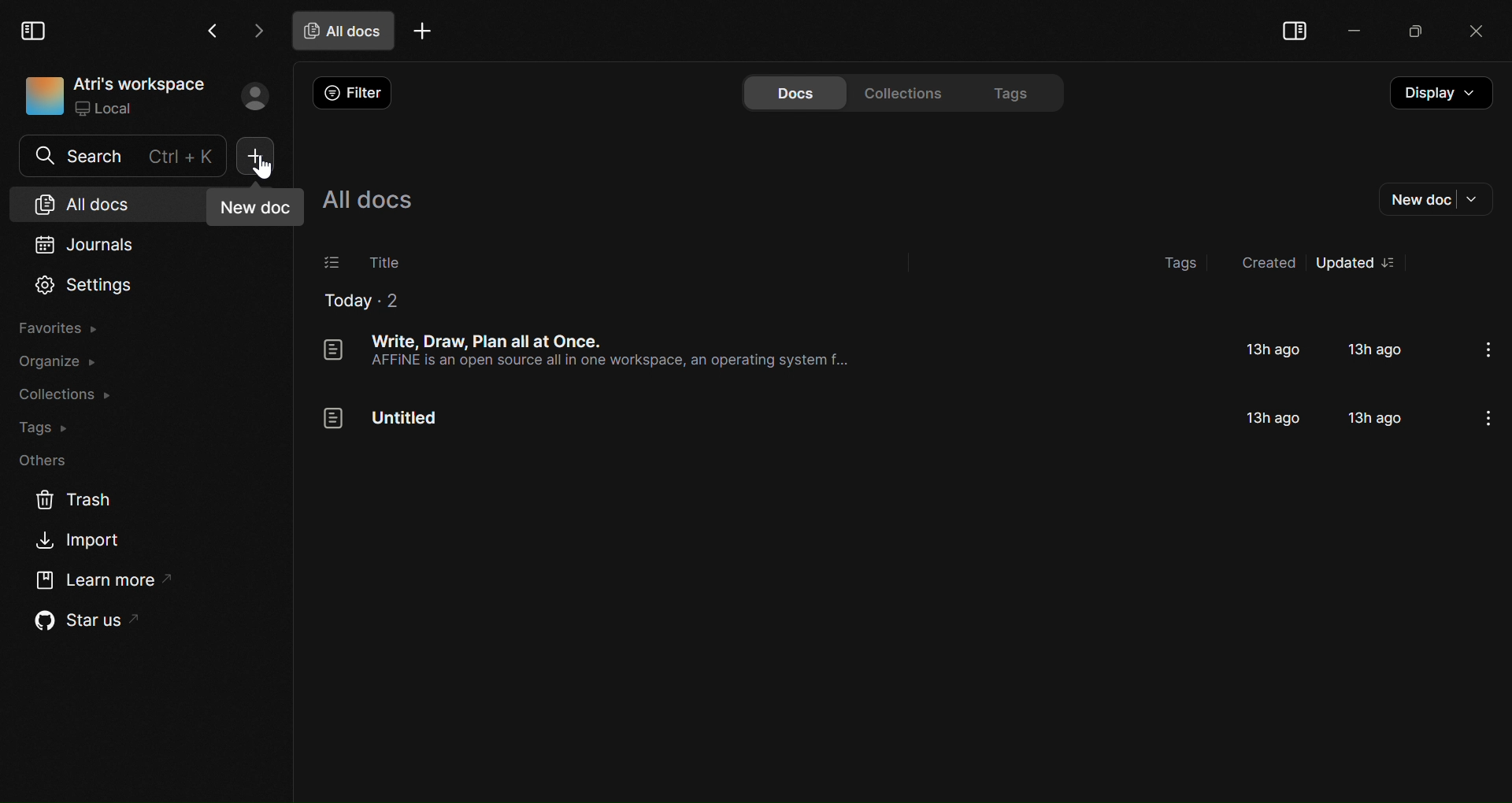  What do you see at coordinates (1295, 32) in the screenshot?
I see `Collapse sidebar` at bounding box center [1295, 32].